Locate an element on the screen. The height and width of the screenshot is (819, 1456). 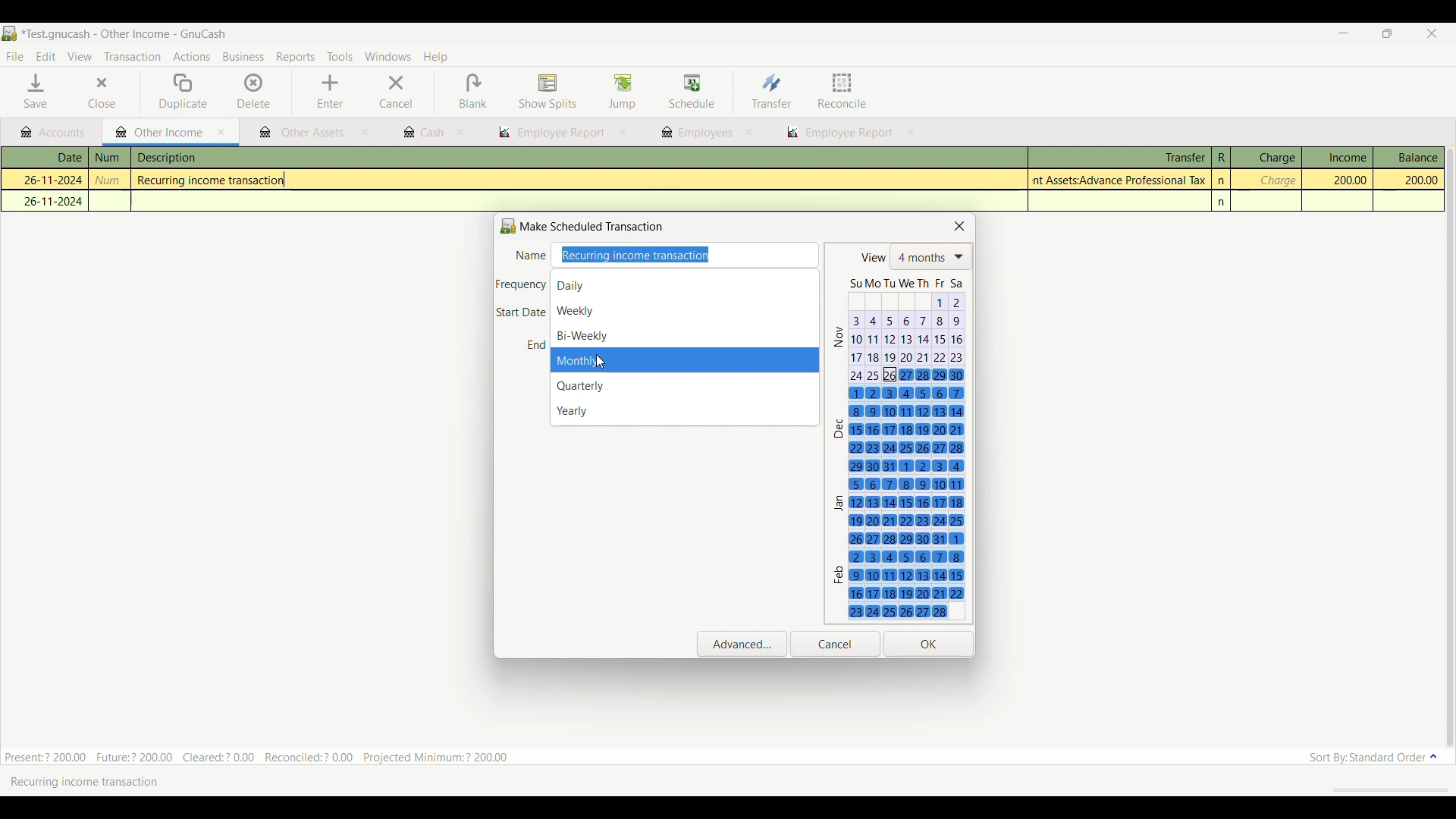
26-11-2024 is located at coordinates (46, 178).